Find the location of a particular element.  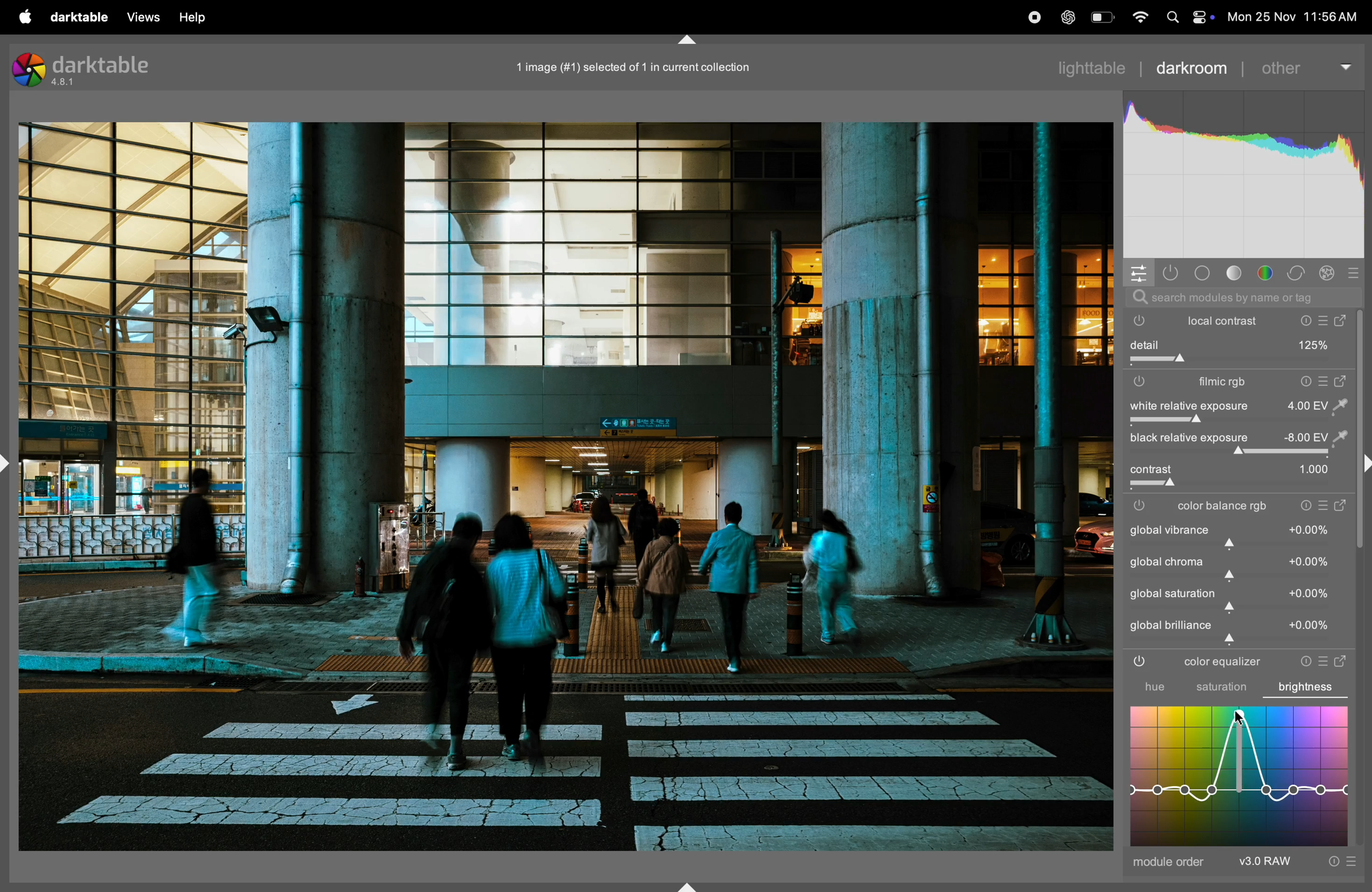

preset is located at coordinates (1354, 271).